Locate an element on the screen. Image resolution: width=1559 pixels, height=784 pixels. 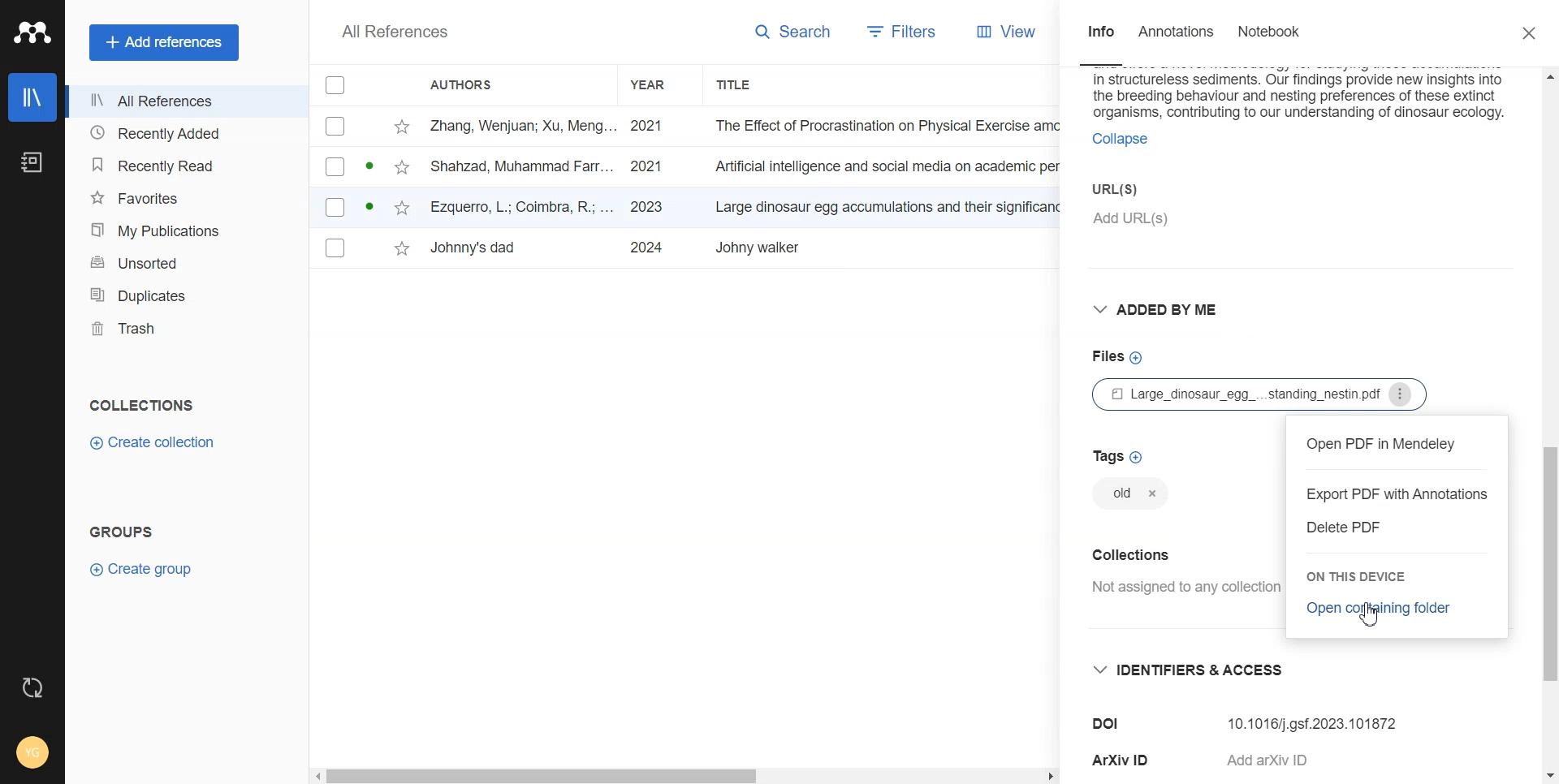
Tag is located at coordinates (1129, 496).